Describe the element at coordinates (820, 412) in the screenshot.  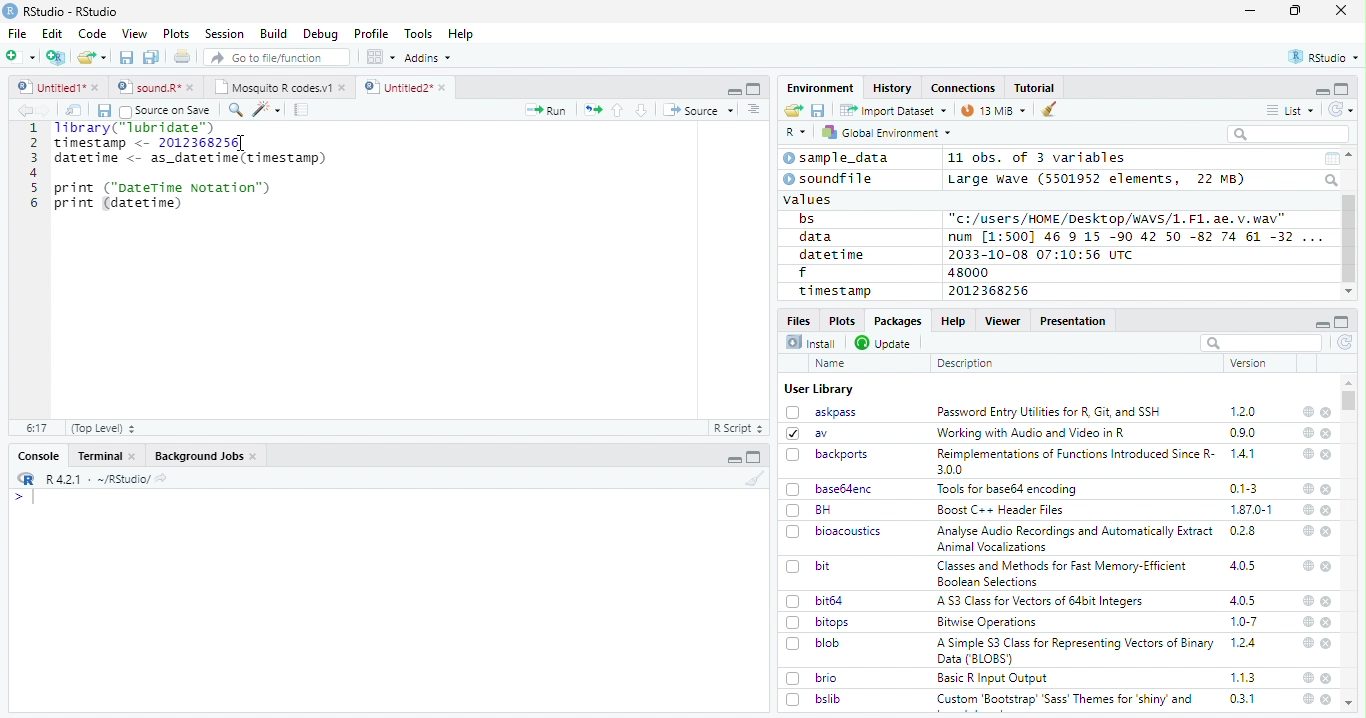
I see `askpass` at that location.